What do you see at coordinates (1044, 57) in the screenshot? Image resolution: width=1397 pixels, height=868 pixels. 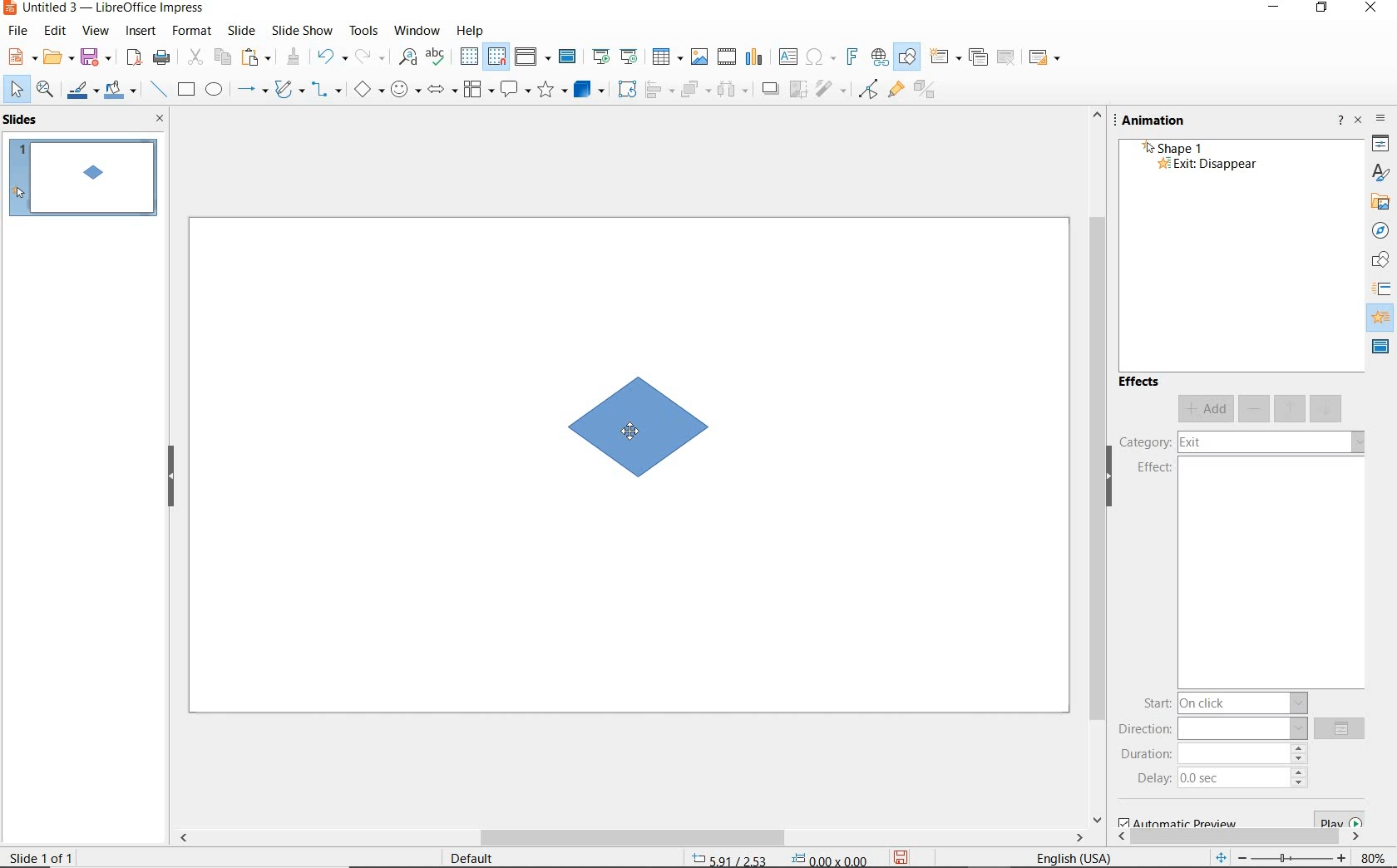 I see `slide layout` at bounding box center [1044, 57].